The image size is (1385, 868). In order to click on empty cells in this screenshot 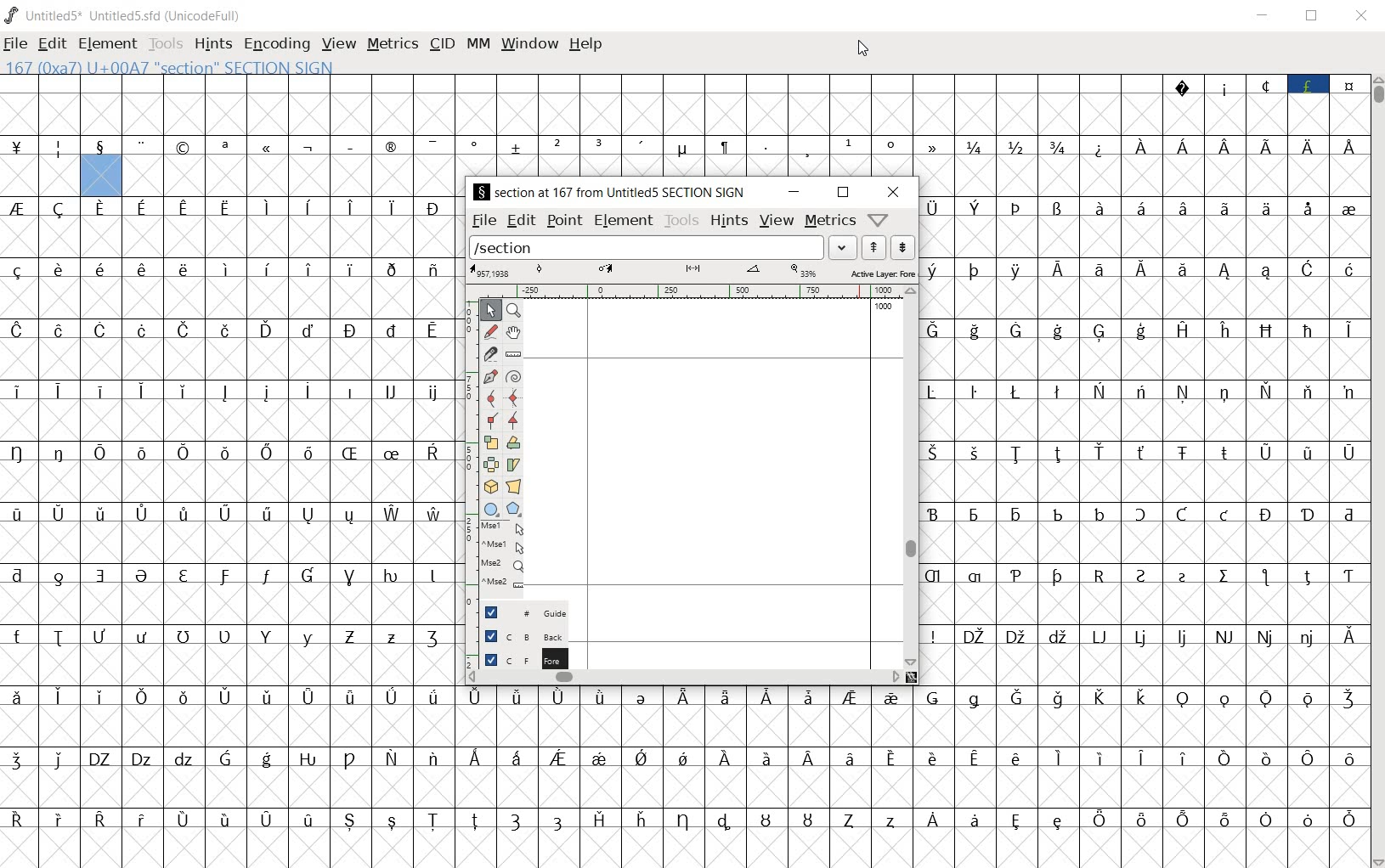, I will do `click(1140, 238)`.